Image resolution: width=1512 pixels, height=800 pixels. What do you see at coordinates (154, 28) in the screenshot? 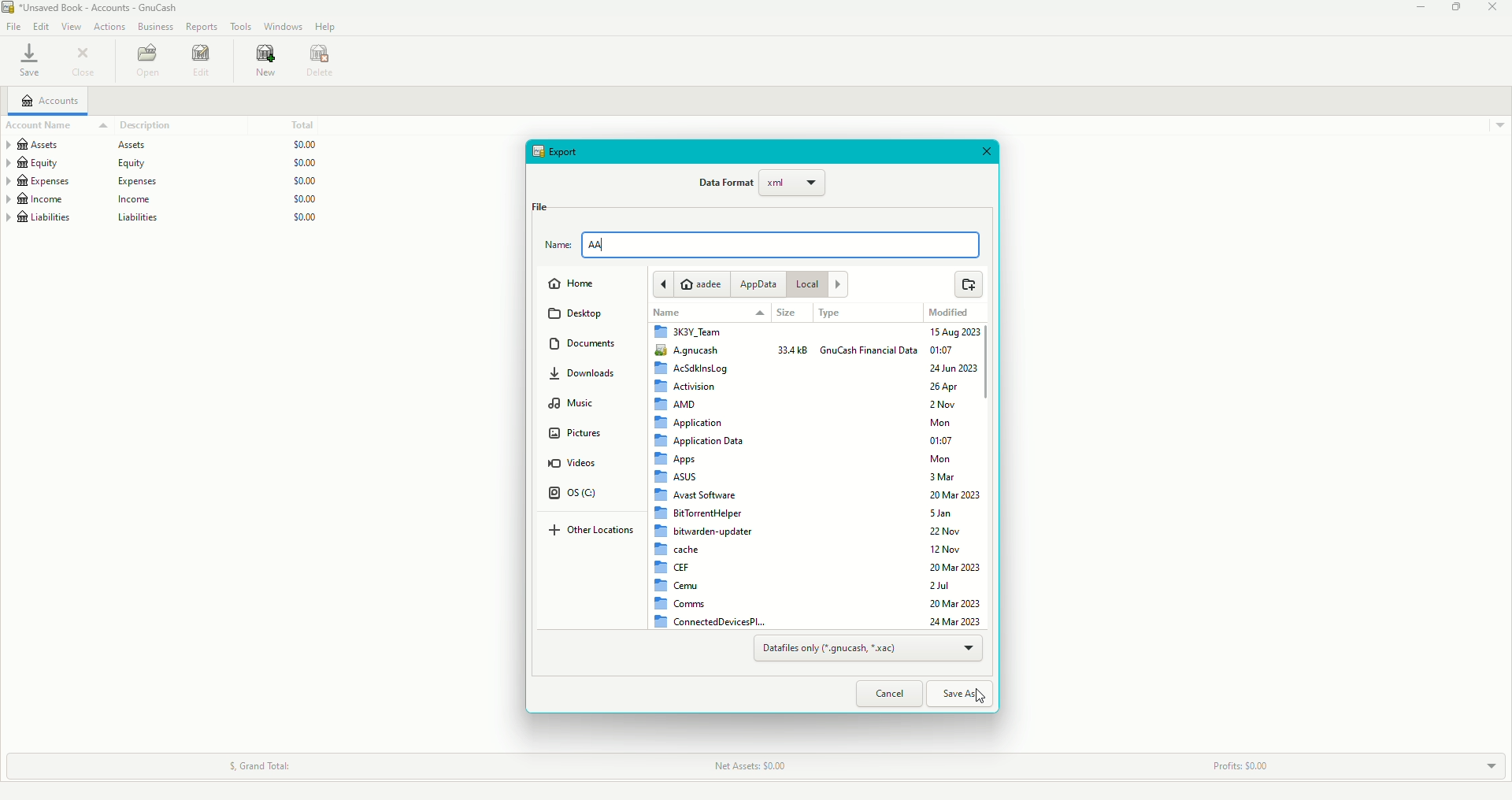
I see `Business` at bounding box center [154, 28].